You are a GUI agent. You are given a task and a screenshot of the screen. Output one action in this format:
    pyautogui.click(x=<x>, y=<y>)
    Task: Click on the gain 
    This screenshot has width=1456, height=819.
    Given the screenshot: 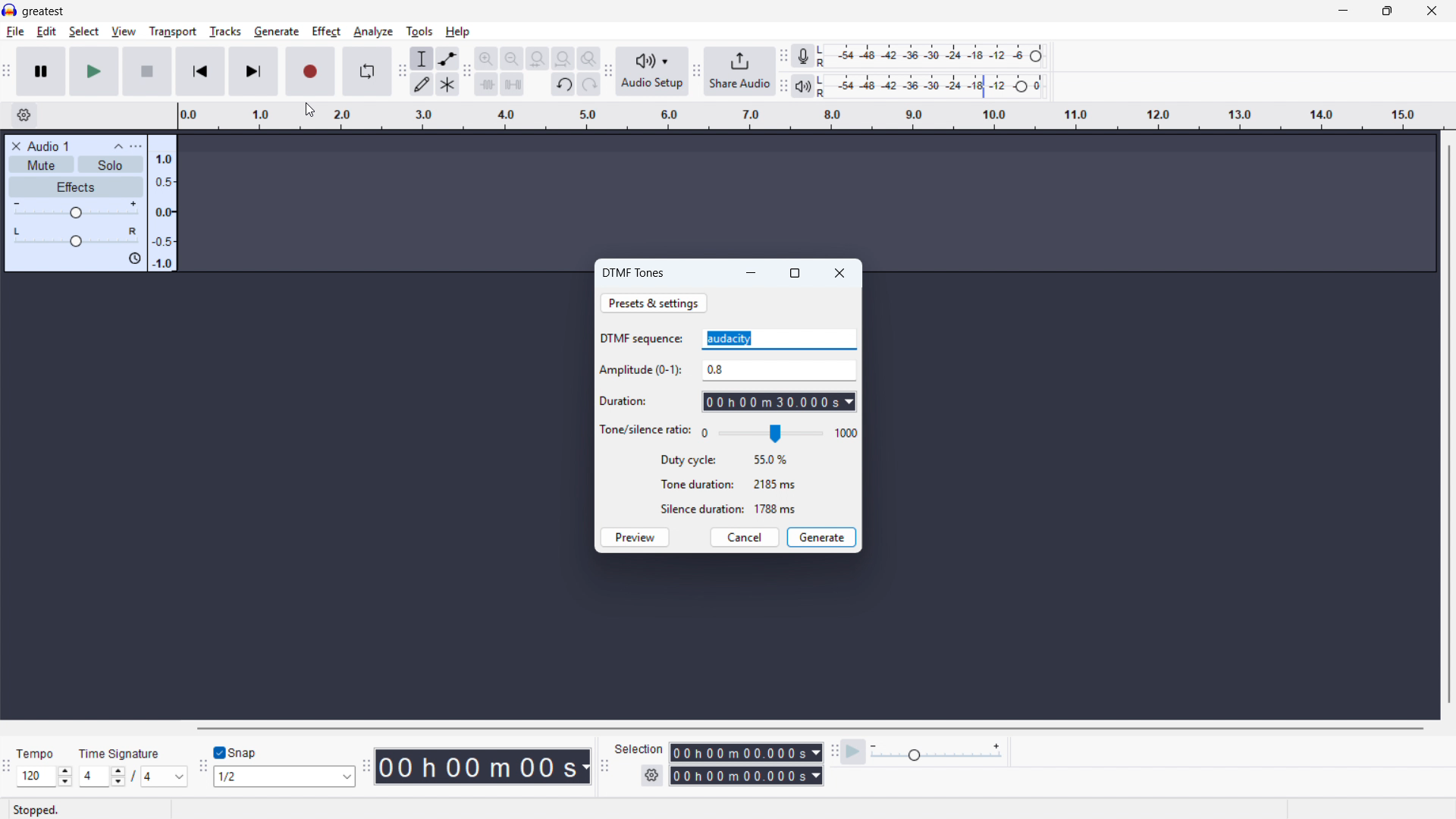 What is the action you would take?
    pyautogui.click(x=76, y=209)
    